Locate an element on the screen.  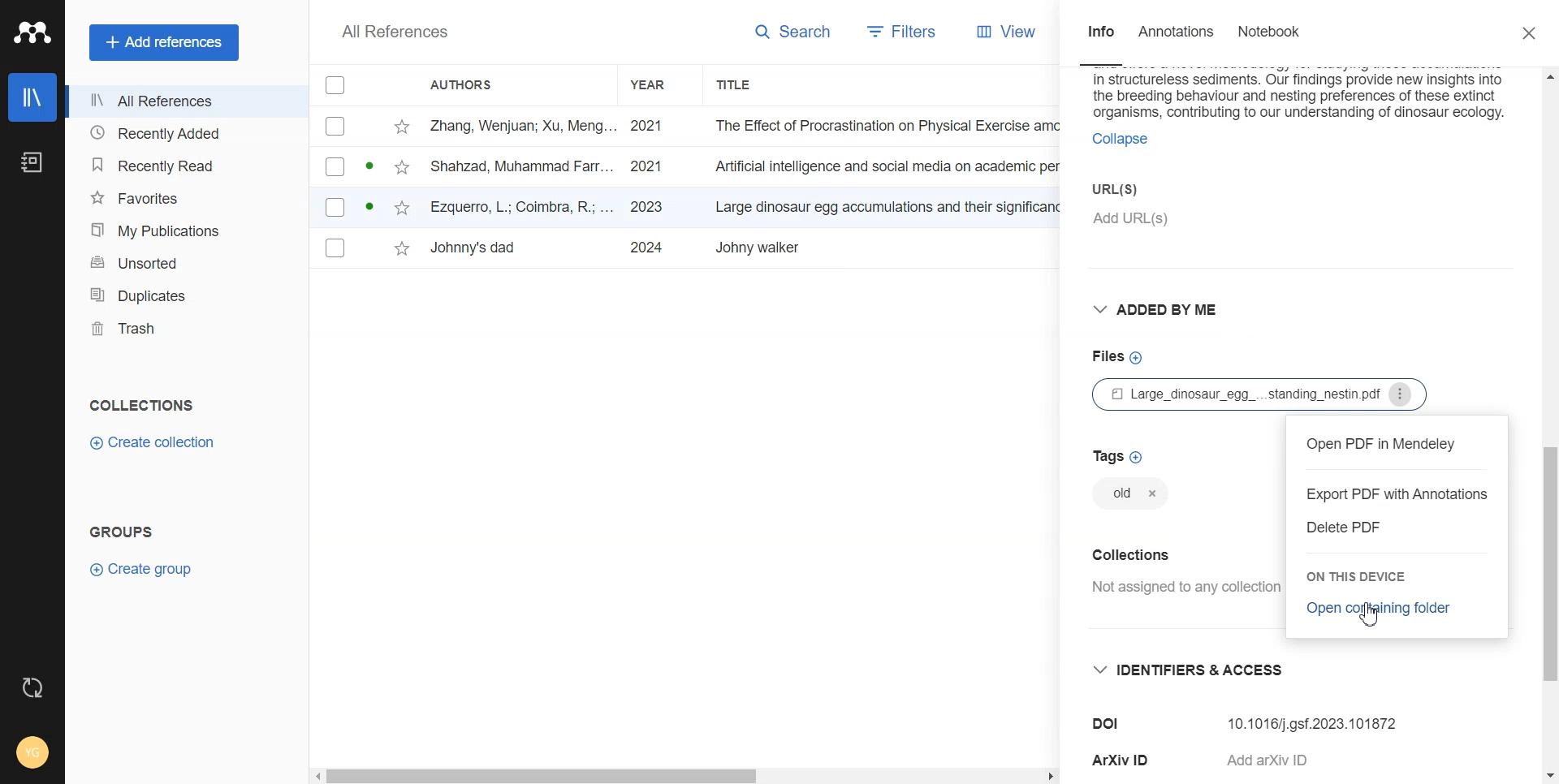
Toggle favorites is located at coordinates (400, 248).